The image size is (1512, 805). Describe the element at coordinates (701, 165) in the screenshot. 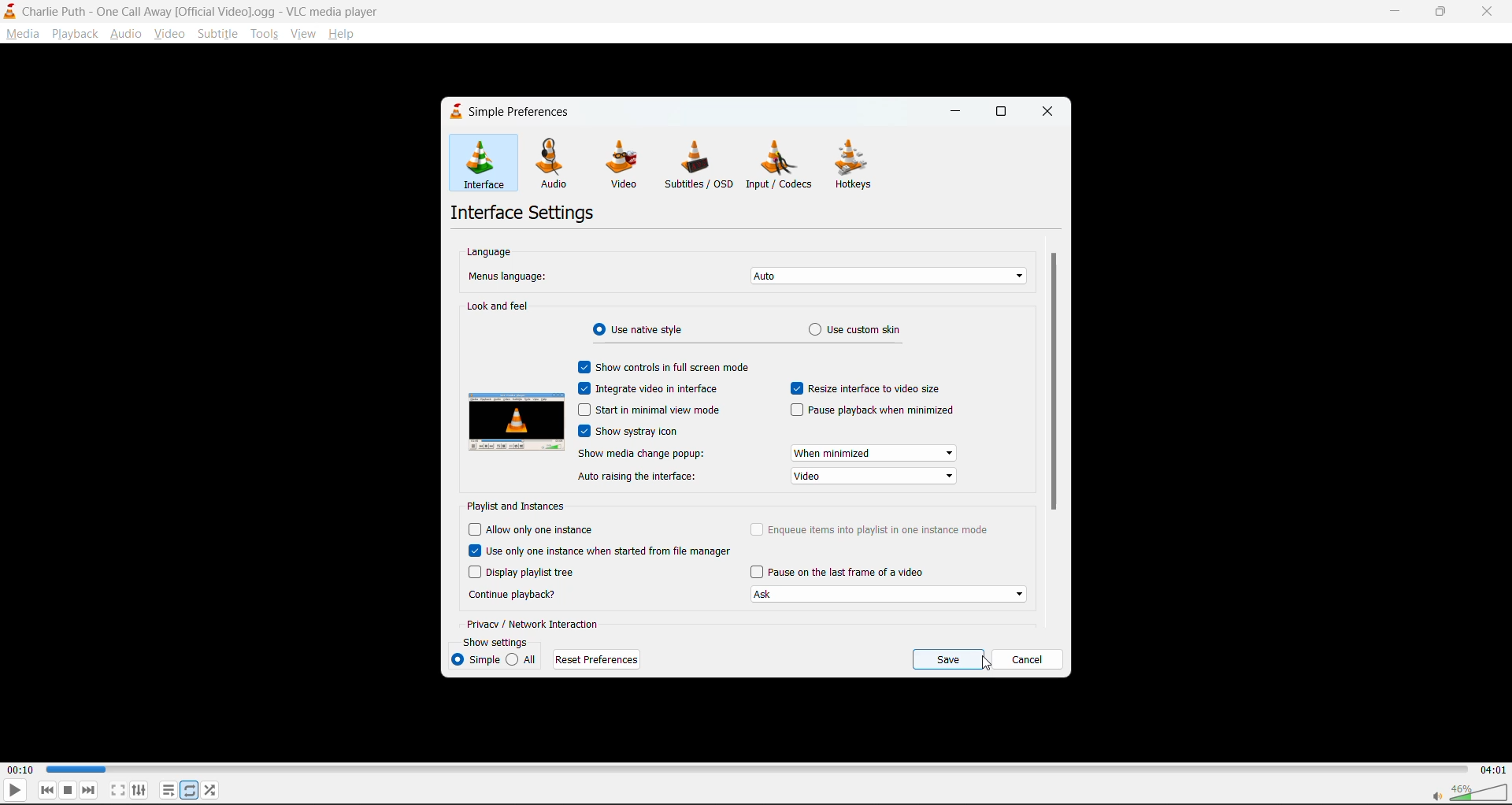

I see `subtitles/osd` at that location.